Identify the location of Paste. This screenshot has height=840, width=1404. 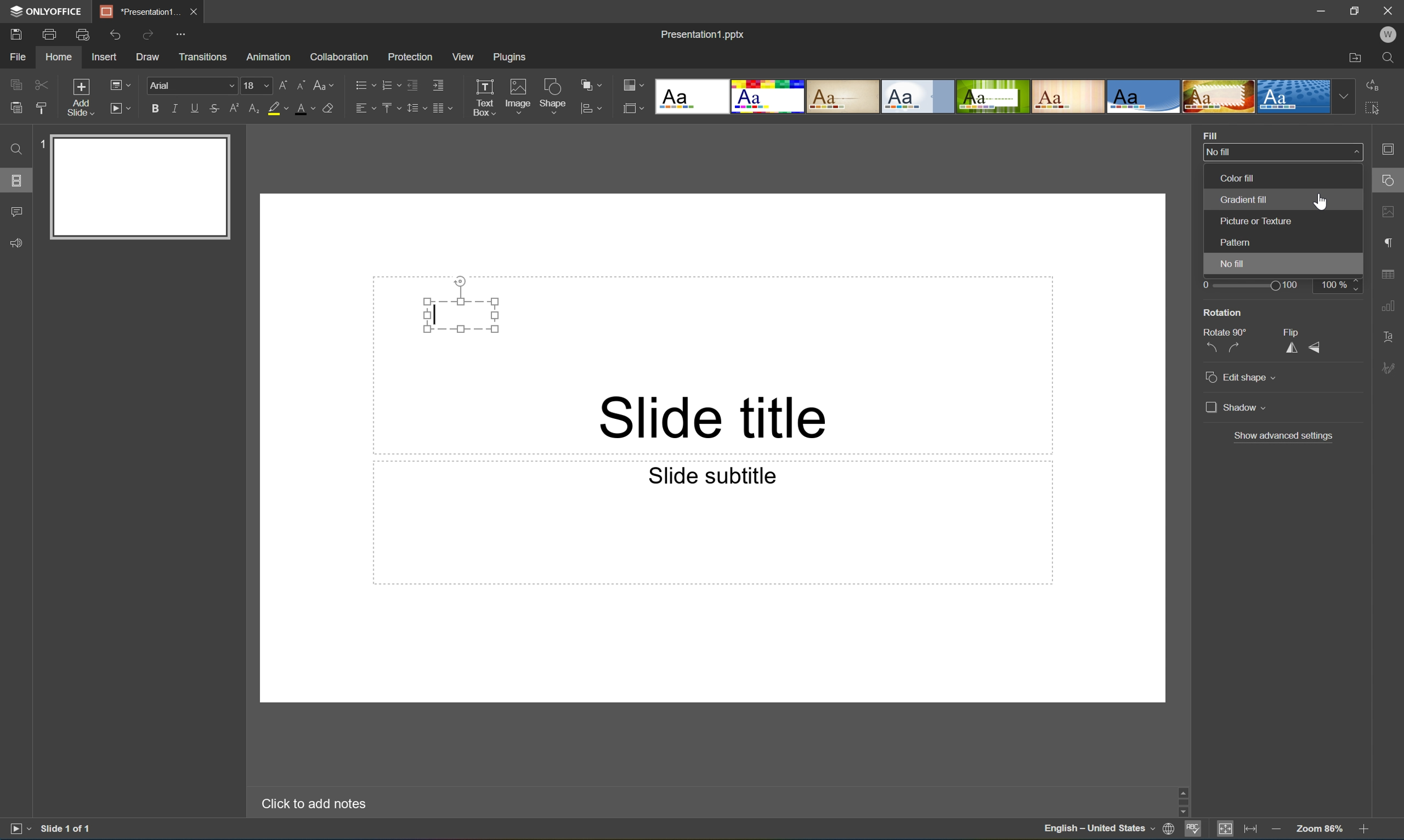
(13, 108).